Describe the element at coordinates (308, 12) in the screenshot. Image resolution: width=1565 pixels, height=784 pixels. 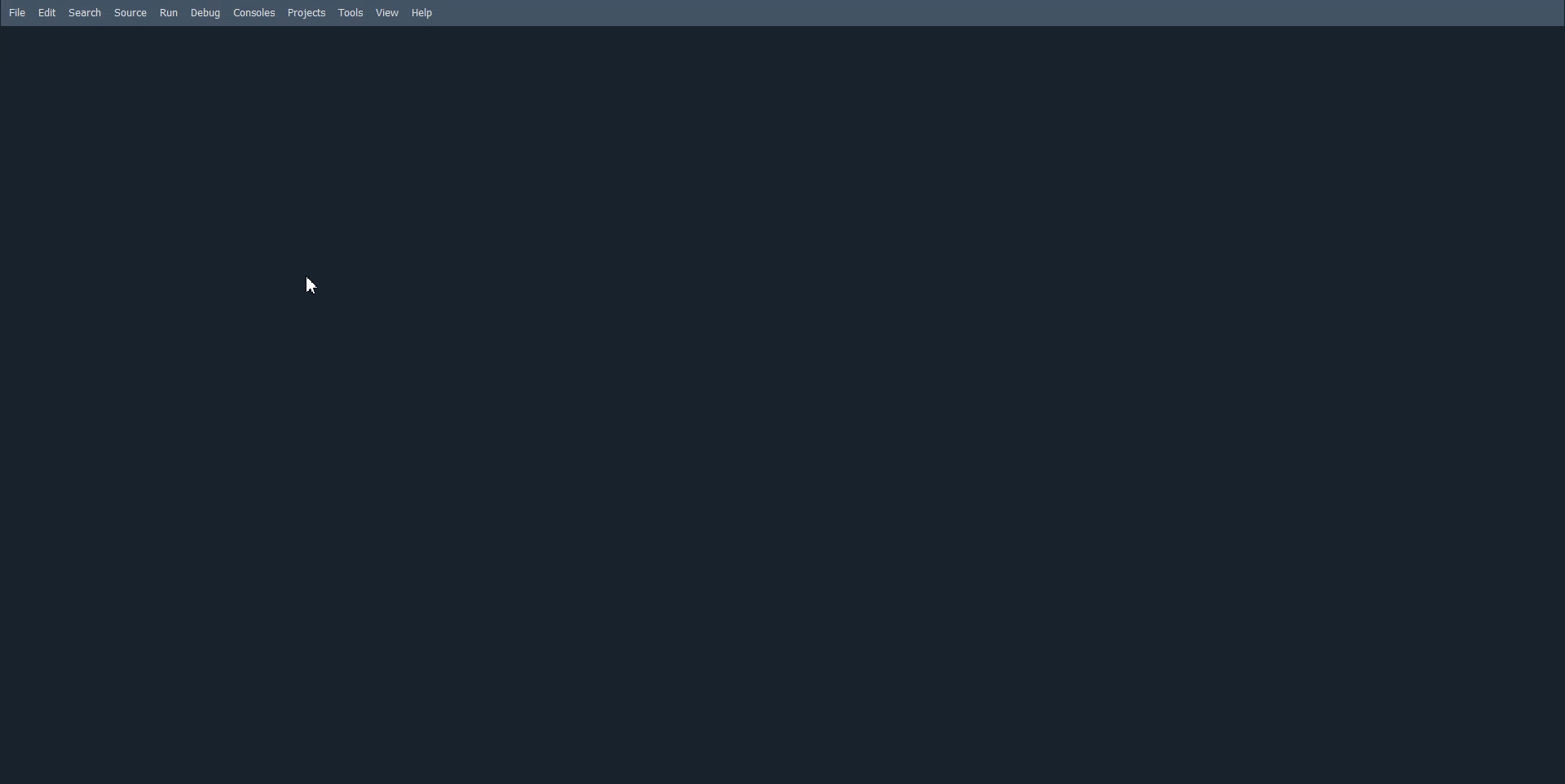
I see `Projects` at that location.